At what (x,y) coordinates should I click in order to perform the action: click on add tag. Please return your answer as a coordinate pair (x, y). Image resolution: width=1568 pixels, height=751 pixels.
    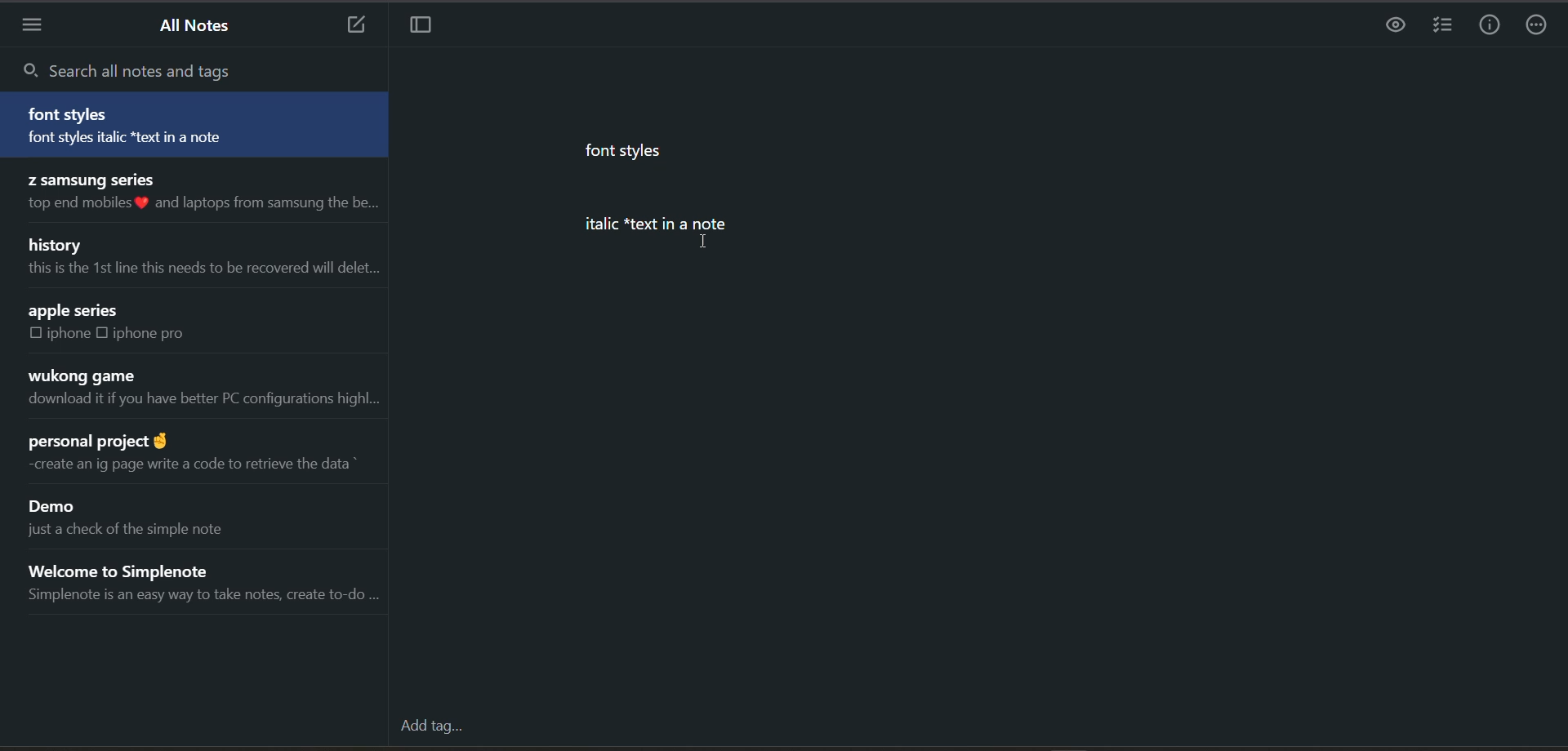
    Looking at the image, I should click on (434, 725).